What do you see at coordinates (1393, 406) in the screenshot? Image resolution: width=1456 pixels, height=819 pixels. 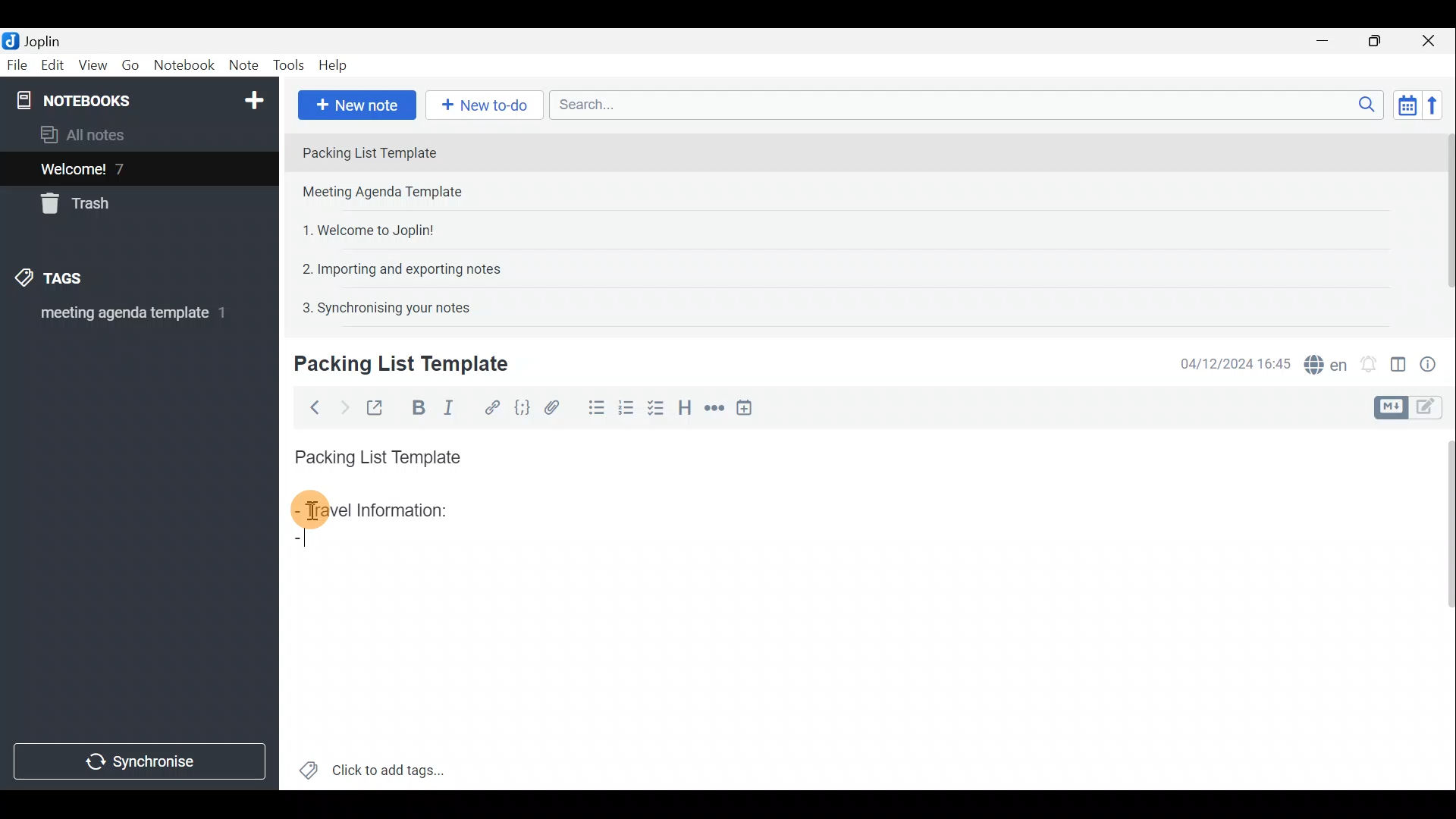 I see `Toggle editors` at bounding box center [1393, 406].